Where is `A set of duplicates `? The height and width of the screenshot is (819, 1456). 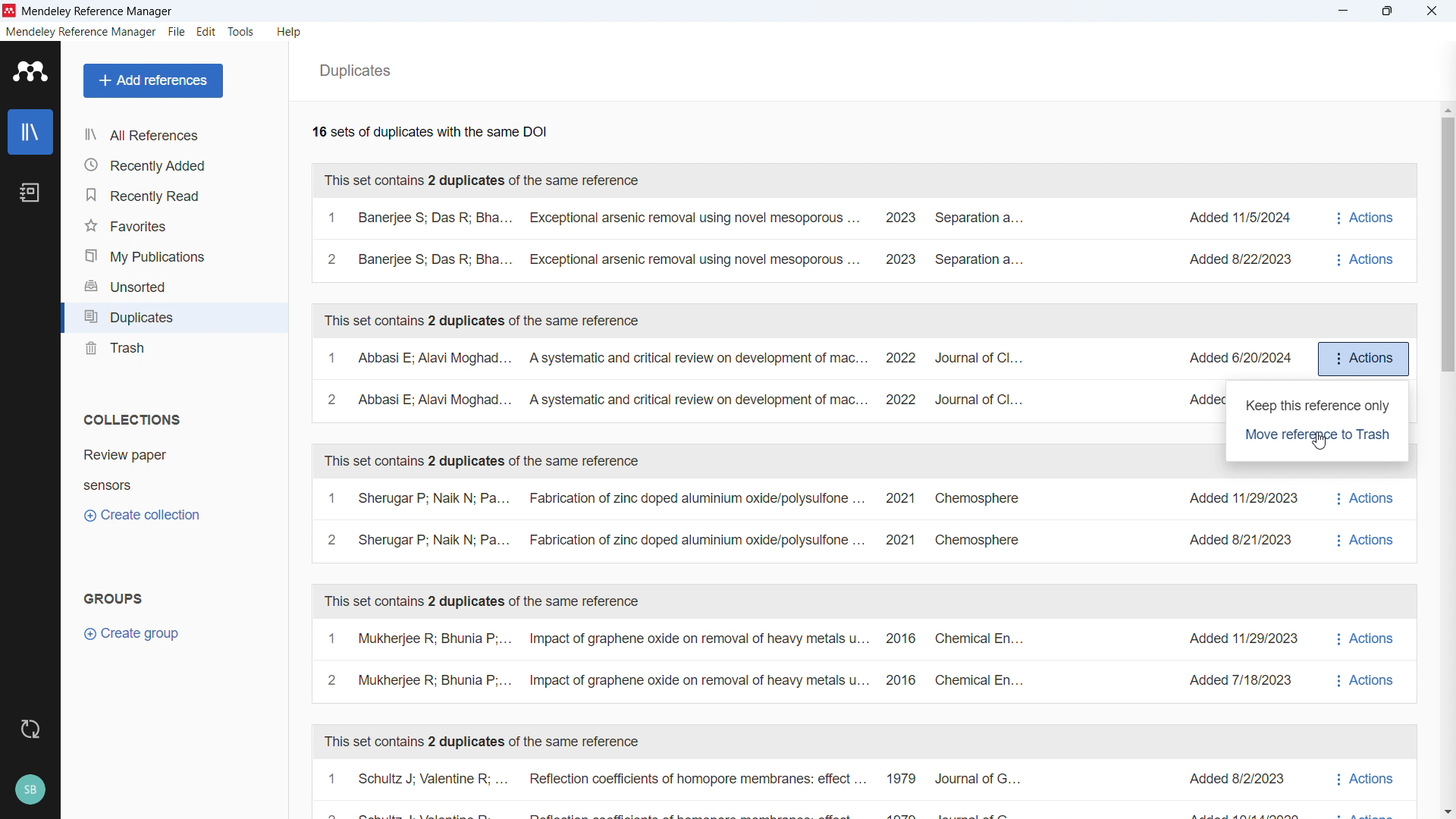
A set of duplicates  is located at coordinates (816, 661).